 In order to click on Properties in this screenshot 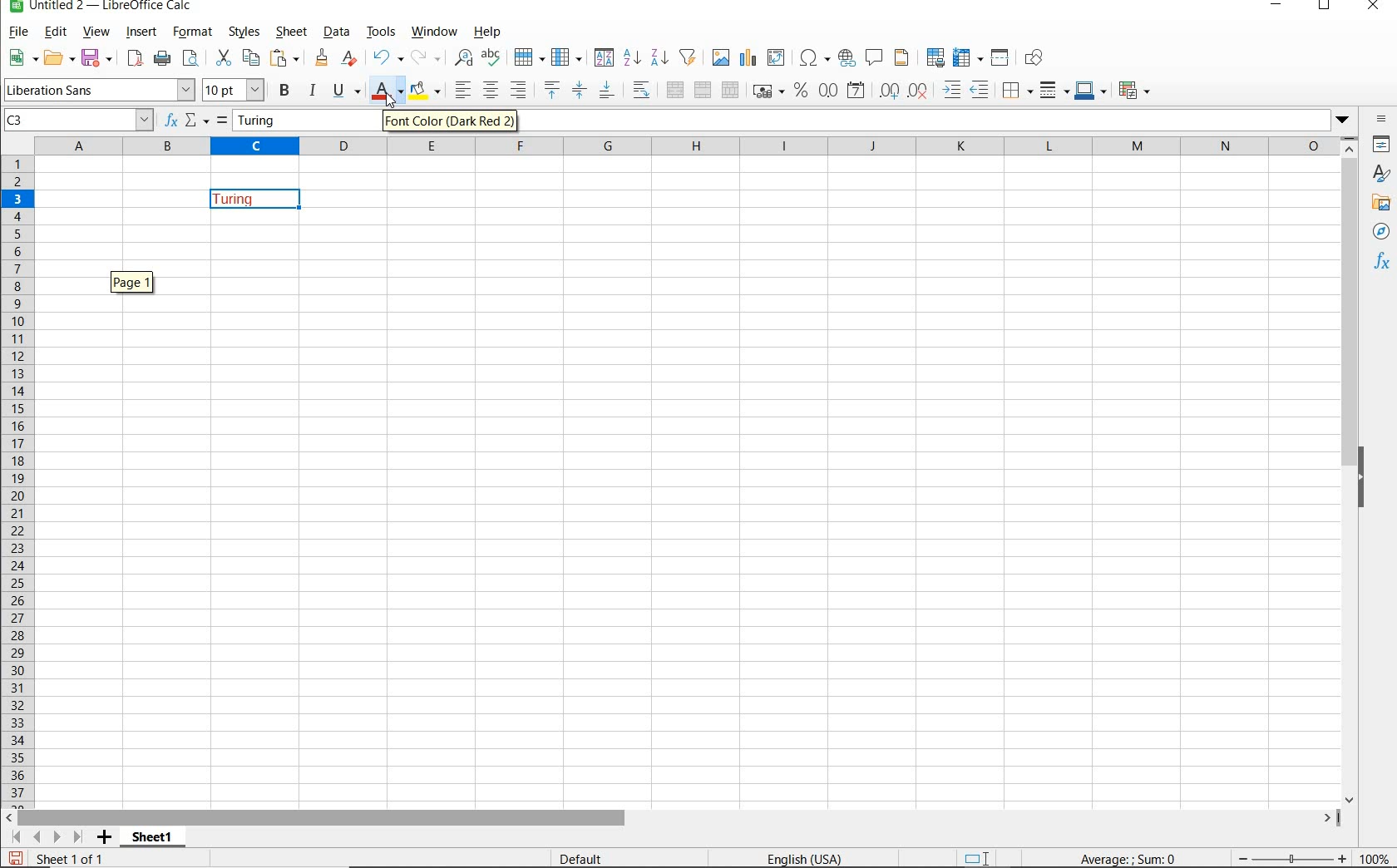, I will do `click(1383, 146)`.